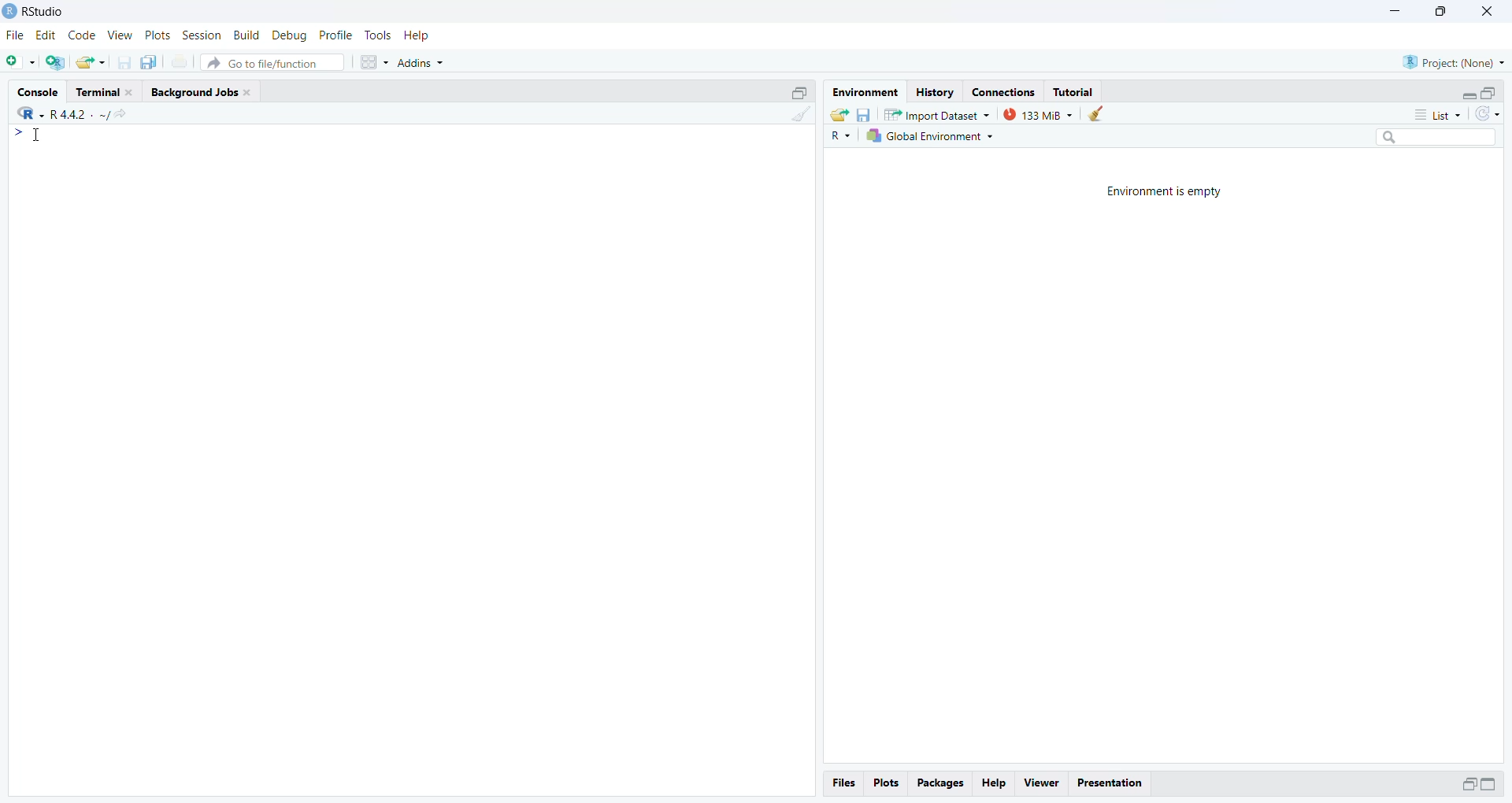 This screenshot has width=1512, height=803. What do you see at coordinates (844, 784) in the screenshot?
I see `files` at bounding box center [844, 784].